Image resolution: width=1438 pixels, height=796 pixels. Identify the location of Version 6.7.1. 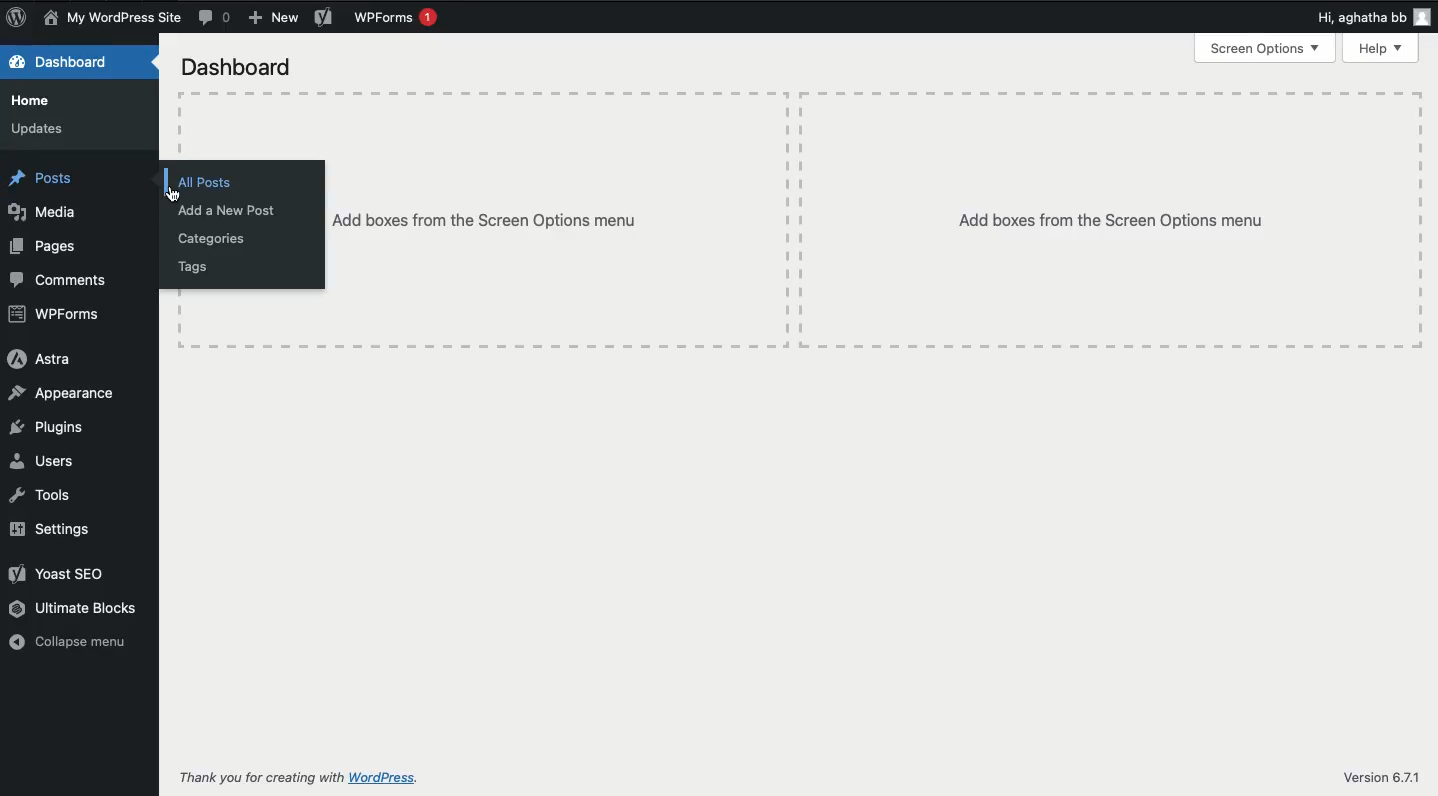
(1375, 776).